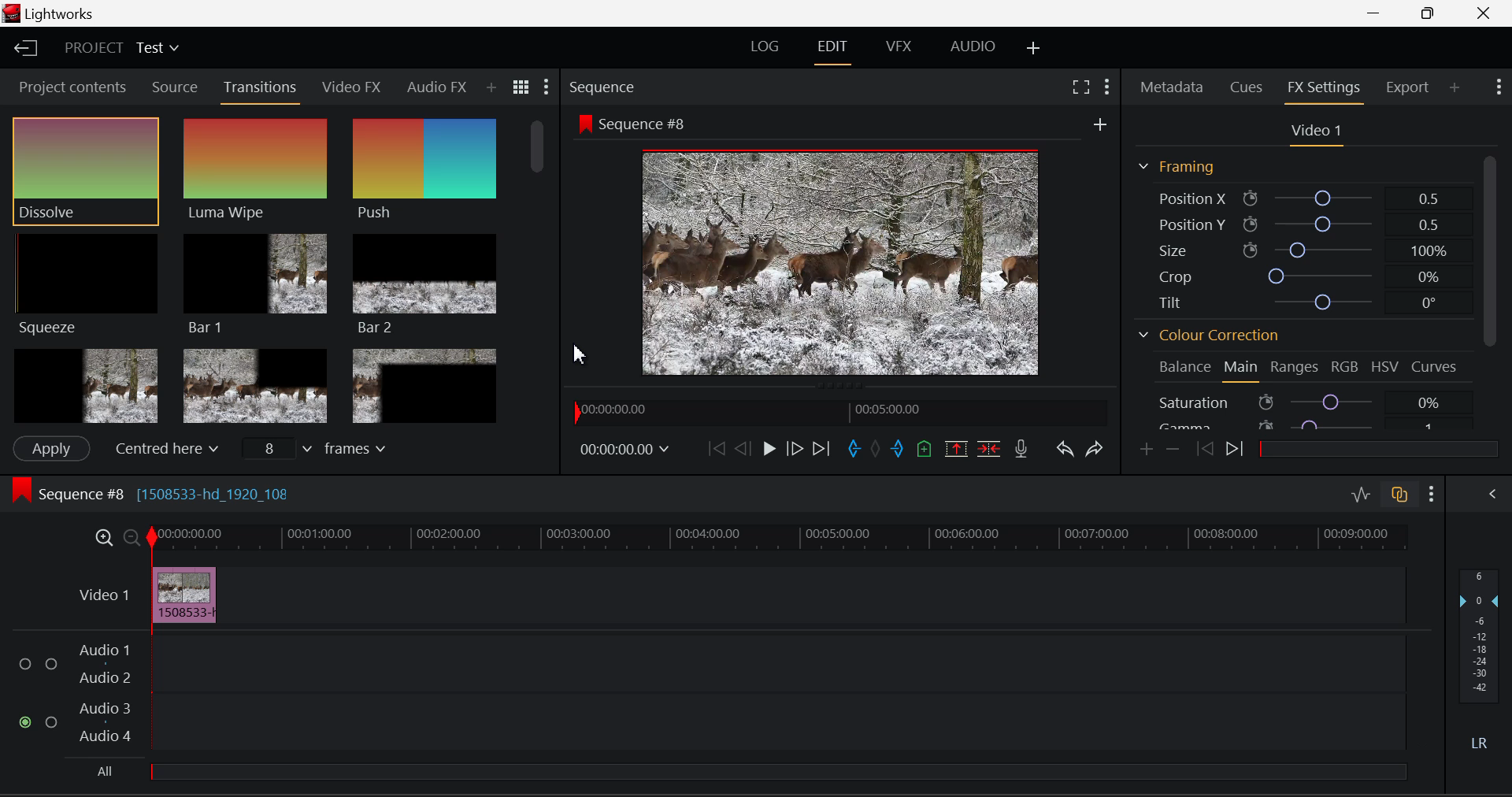 This screenshot has width=1512, height=797. Describe the element at coordinates (600, 84) in the screenshot. I see `Sequence Preview Section` at that location.